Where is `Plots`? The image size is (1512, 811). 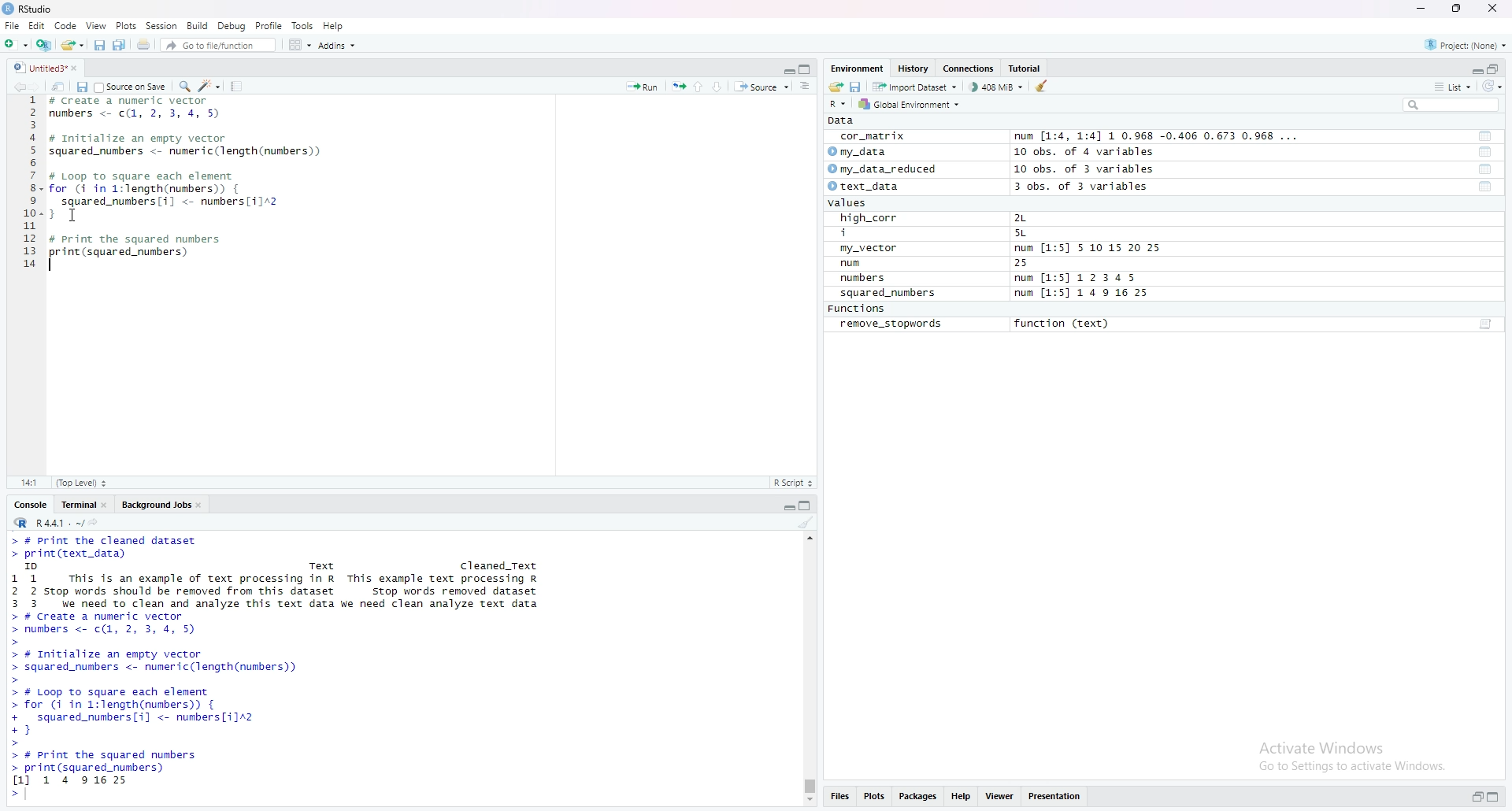 Plots is located at coordinates (126, 25).